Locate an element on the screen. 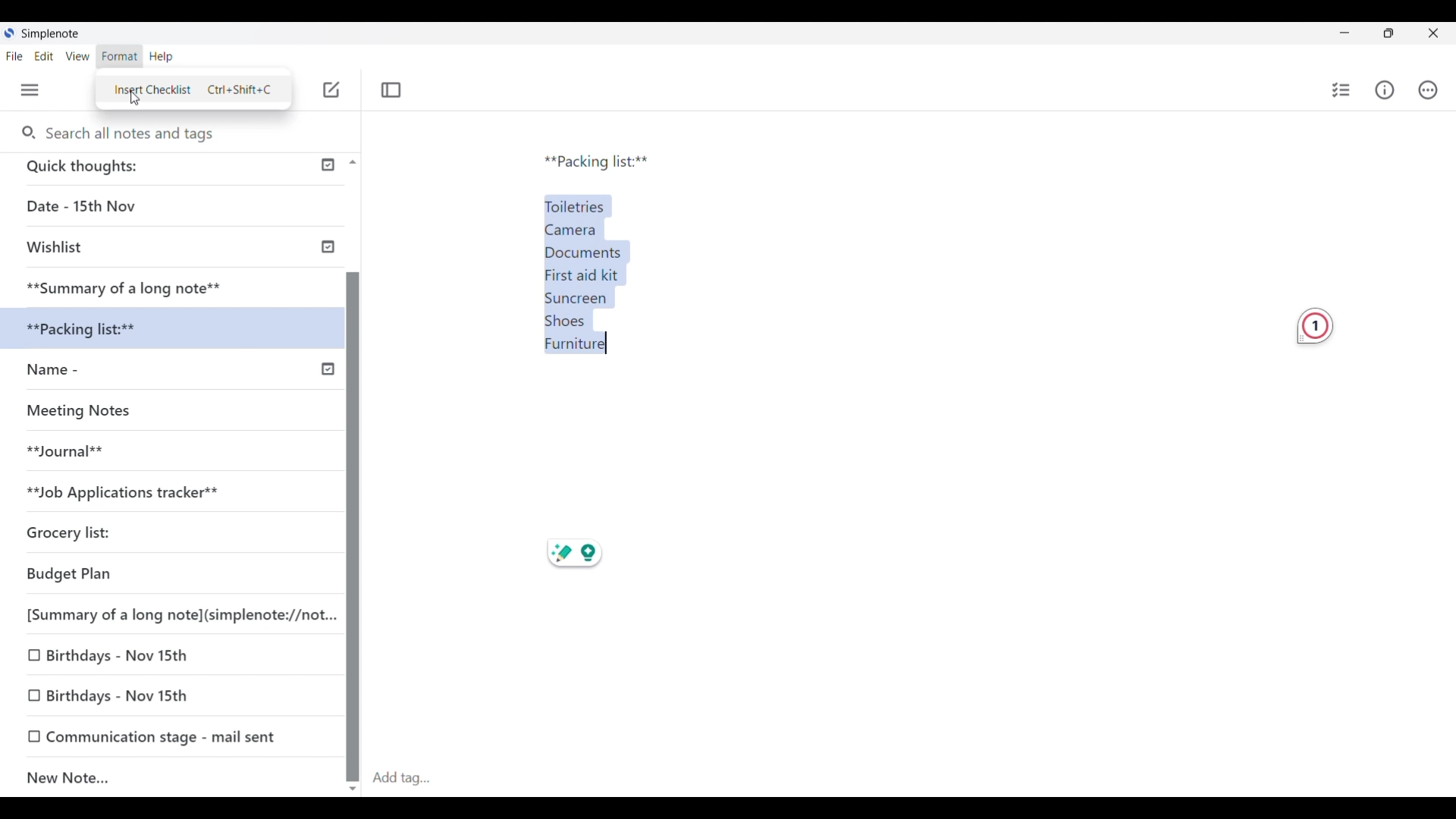 The height and width of the screenshot is (819, 1456). Packing list is located at coordinates (596, 162).